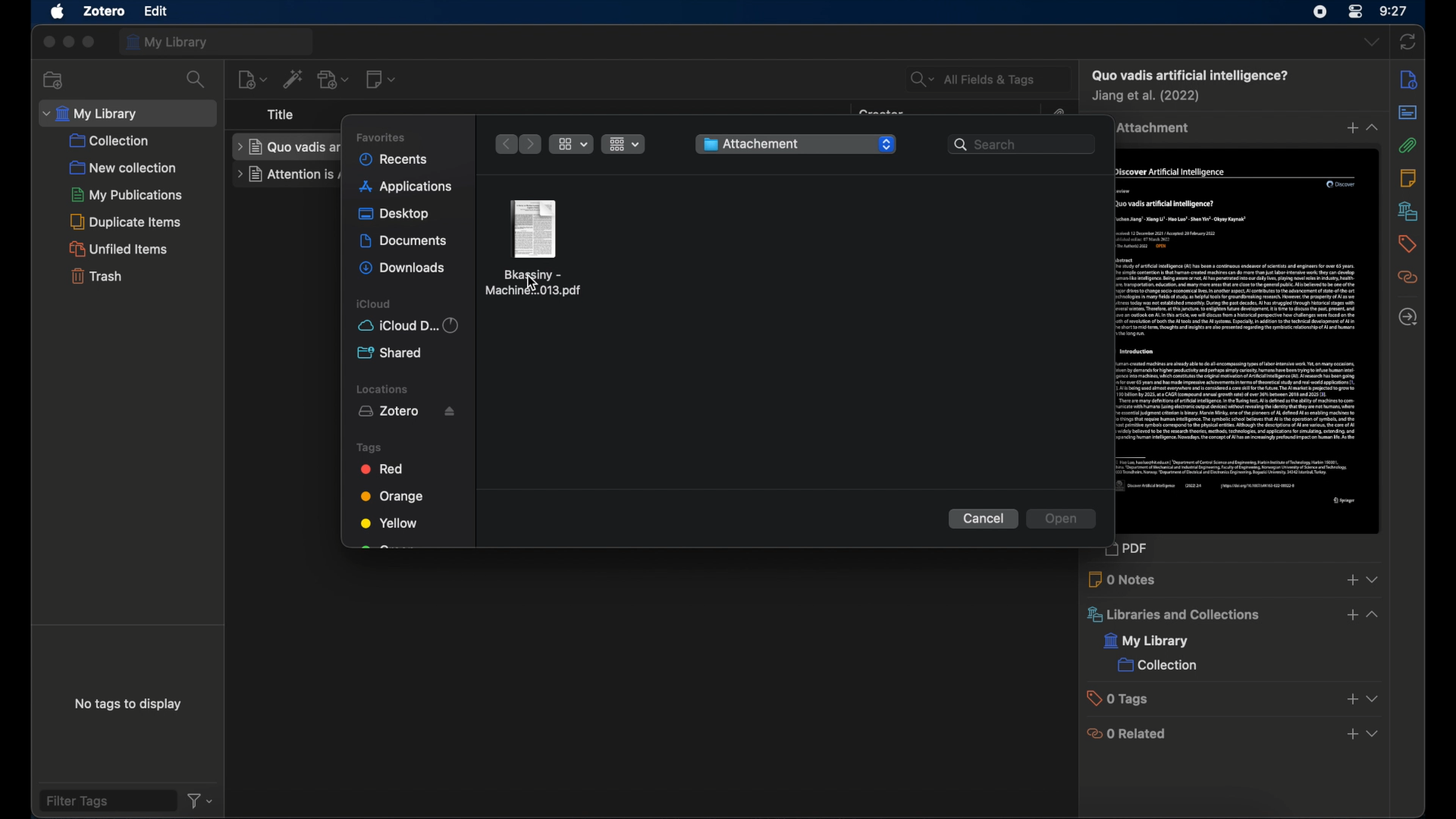 The width and height of the screenshot is (1456, 819). I want to click on add, so click(1349, 129).